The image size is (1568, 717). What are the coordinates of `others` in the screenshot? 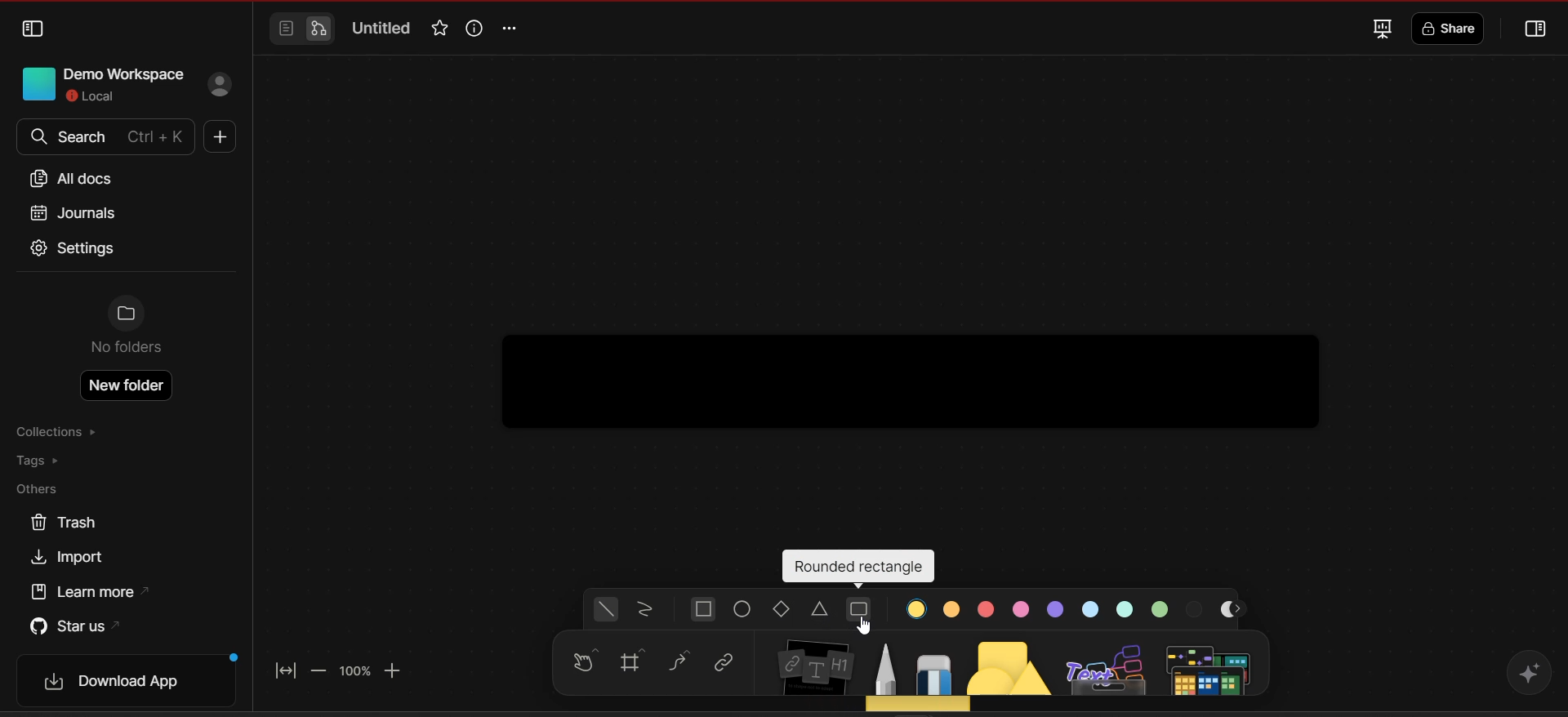 It's located at (45, 490).